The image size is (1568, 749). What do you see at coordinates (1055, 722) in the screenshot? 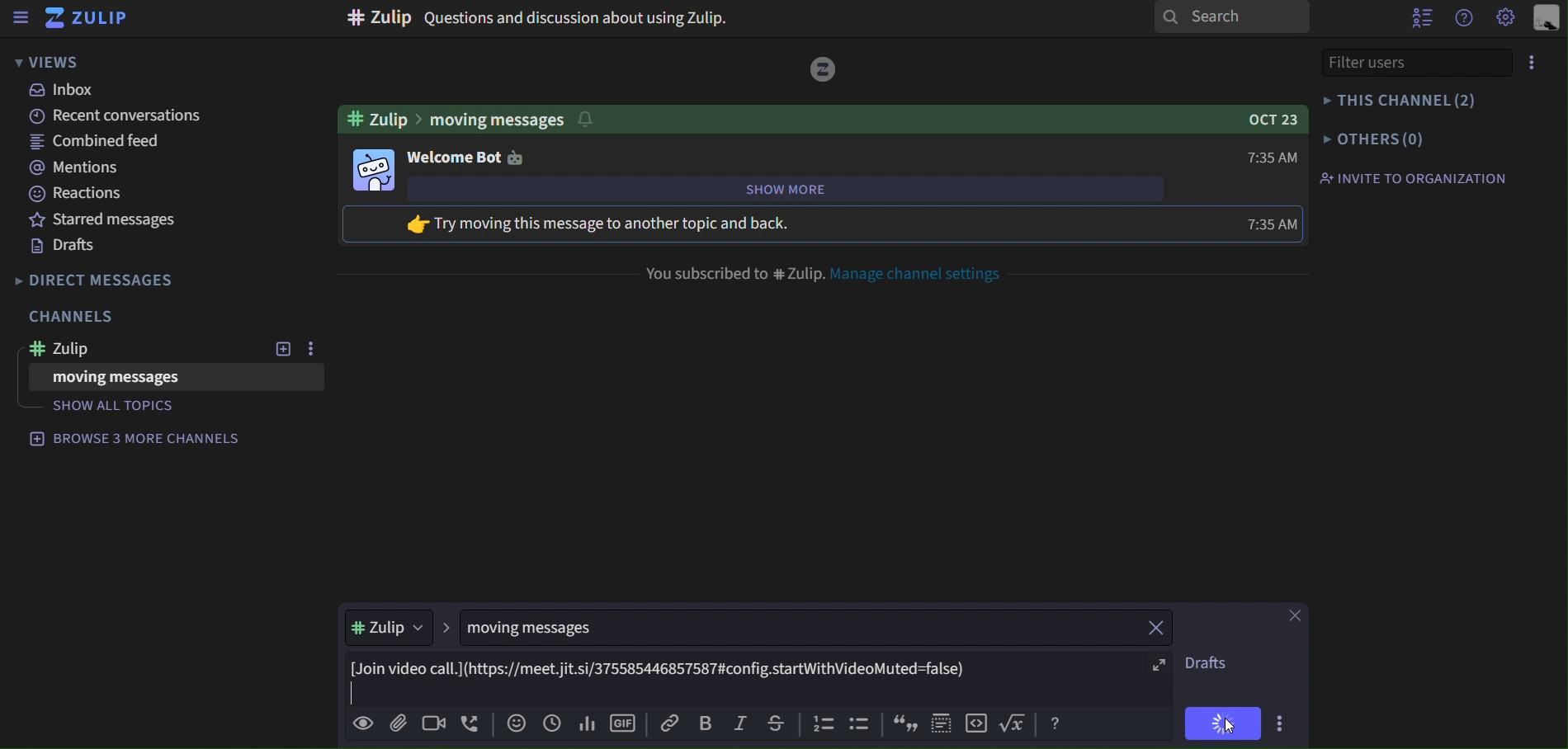
I see `help` at bounding box center [1055, 722].